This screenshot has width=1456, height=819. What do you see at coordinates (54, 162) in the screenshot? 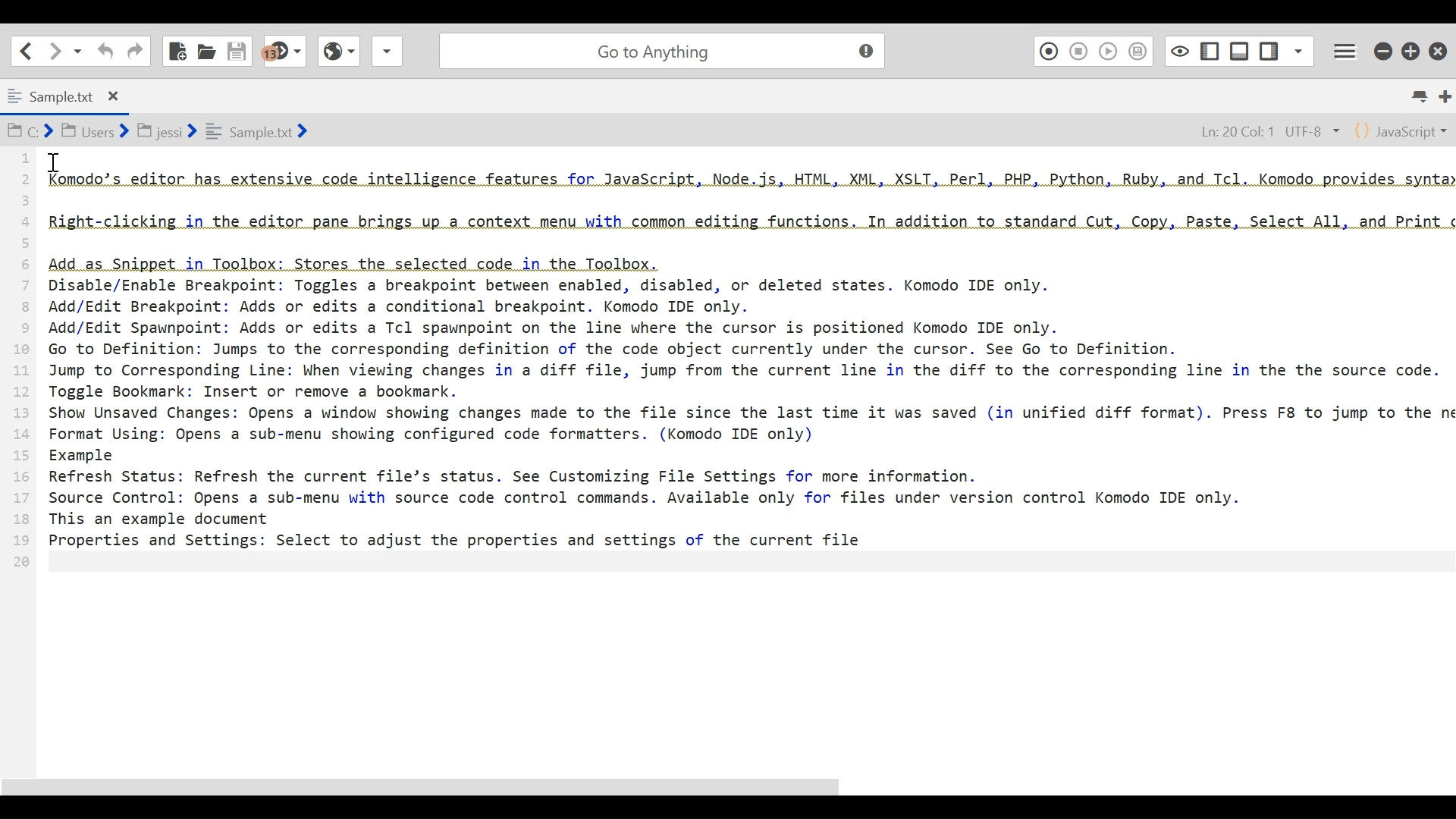
I see `Insertion Cursor` at bounding box center [54, 162].